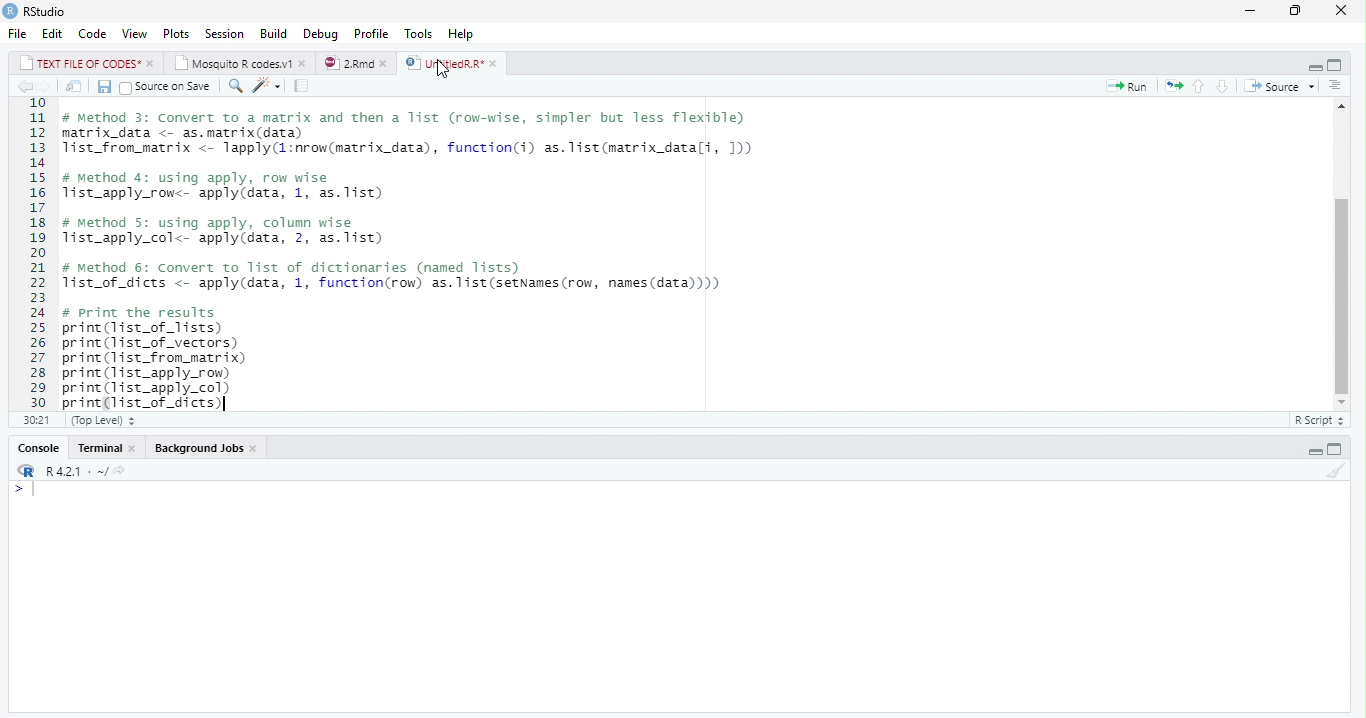  Describe the element at coordinates (1334, 470) in the screenshot. I see `Clear` at that location.